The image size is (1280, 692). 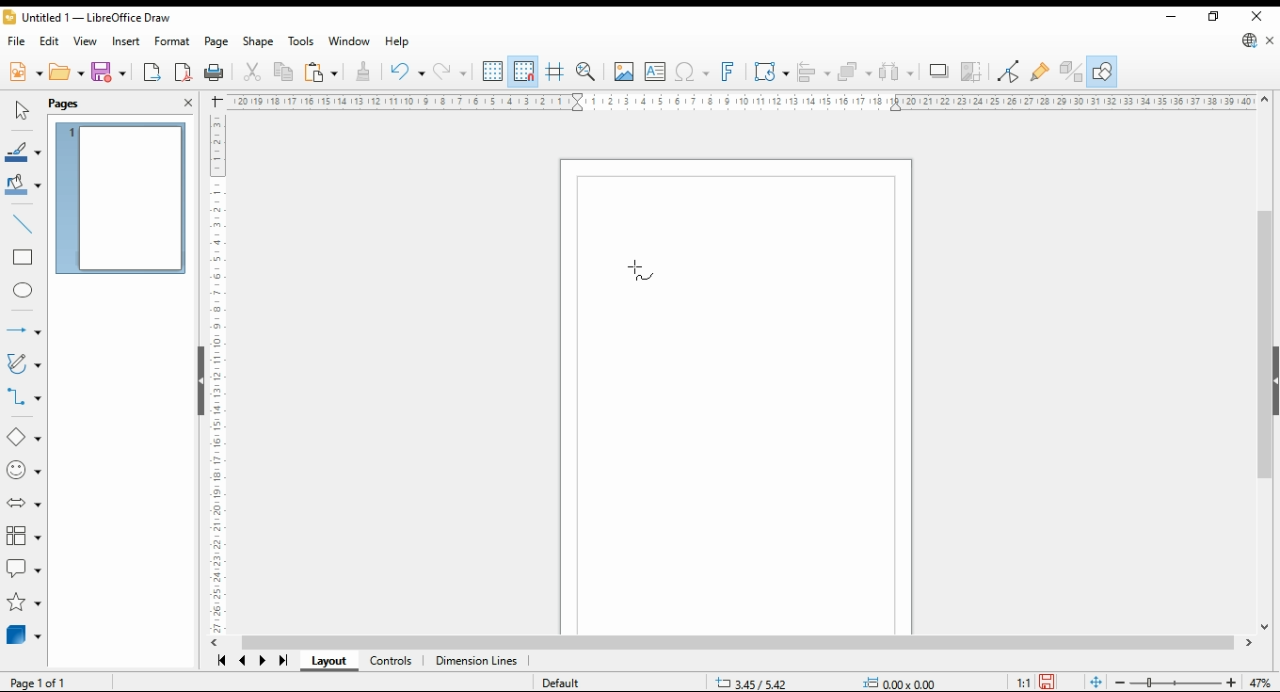 What do you see at coordinates (743, 643) in the screenshot?
I see `scroll bar` at bounding box center [743, 643].